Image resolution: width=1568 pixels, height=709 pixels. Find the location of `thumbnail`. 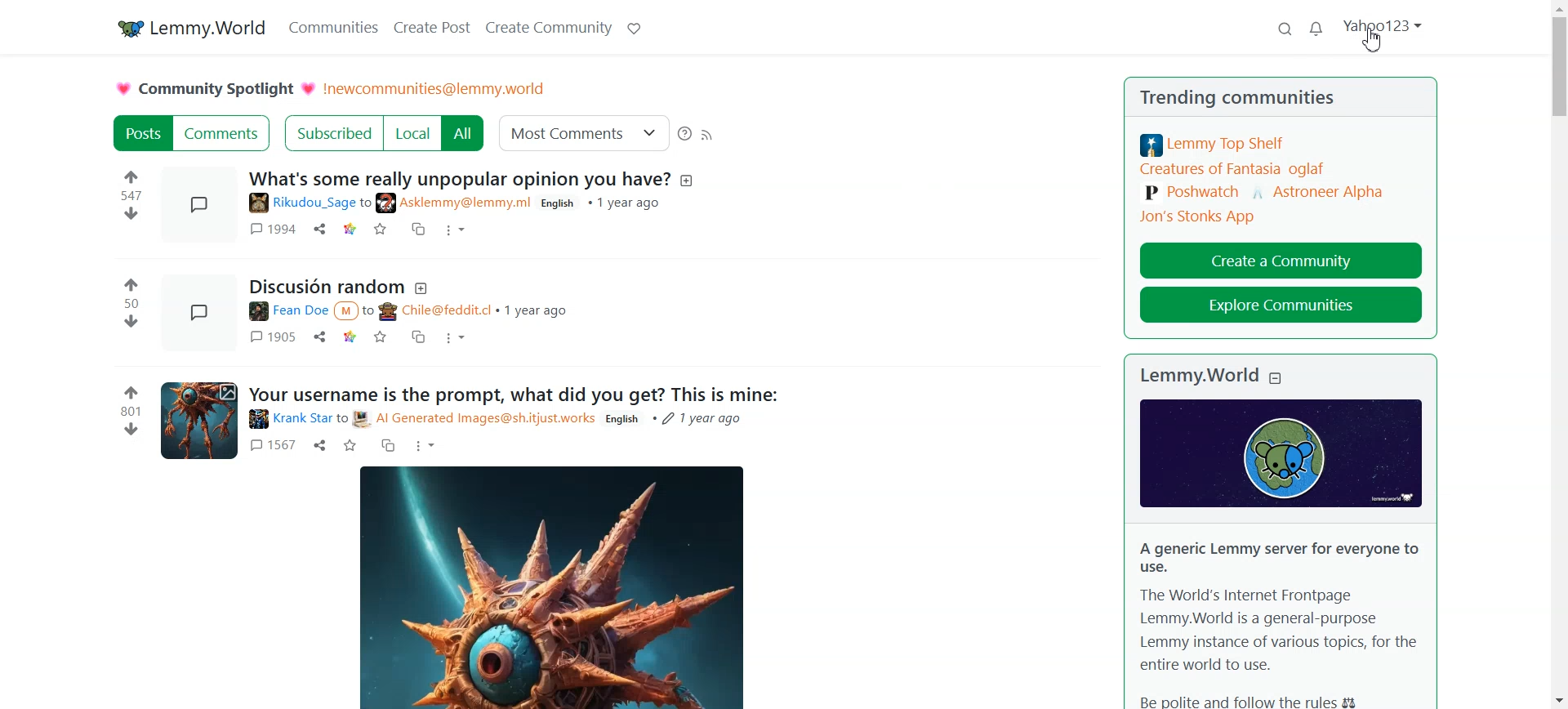

thumbnail is located at coordinates (202, 207).